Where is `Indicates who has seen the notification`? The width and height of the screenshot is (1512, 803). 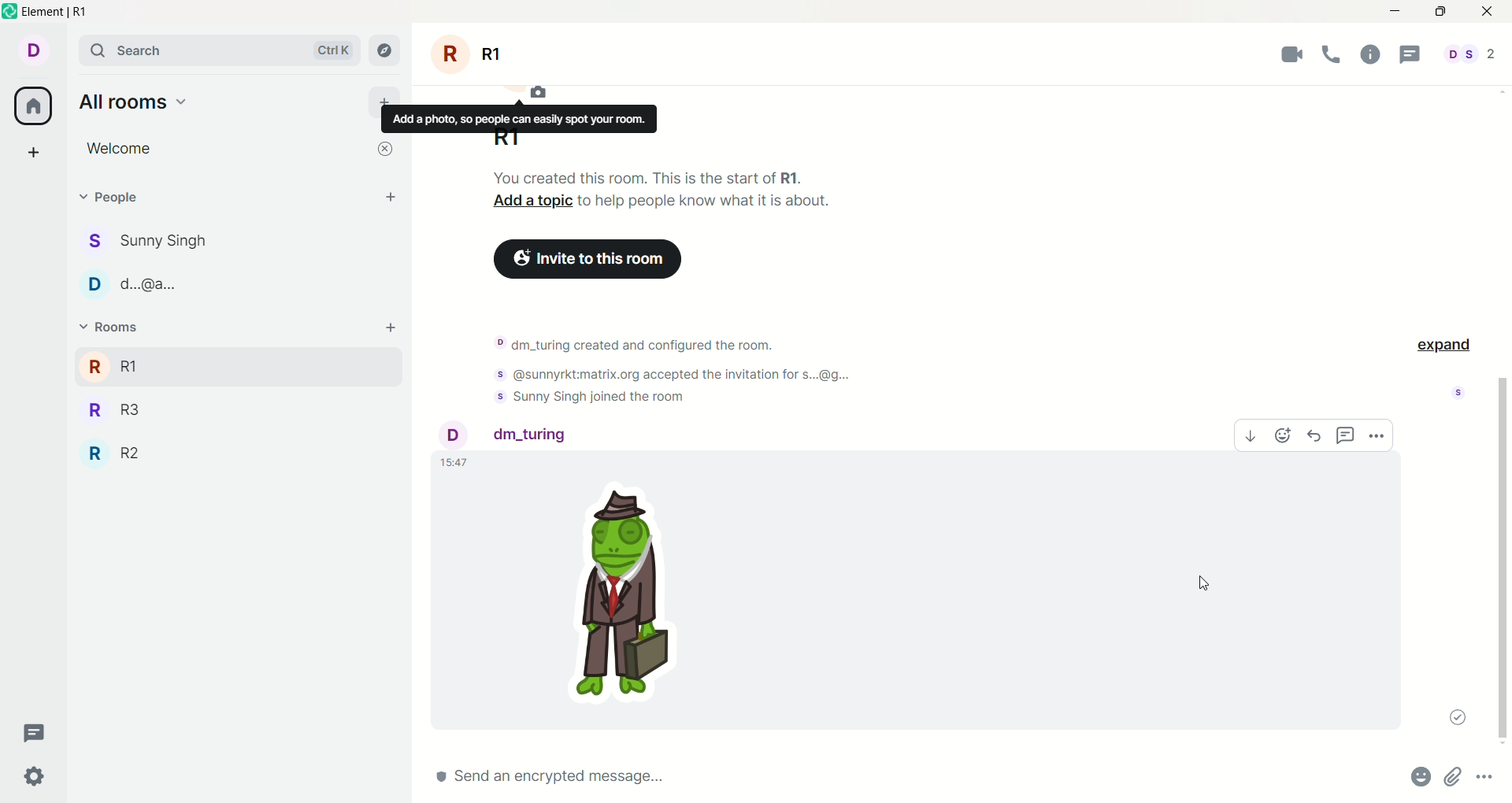 Indicates who has seen the notification is located at coordinates (1458, 393).